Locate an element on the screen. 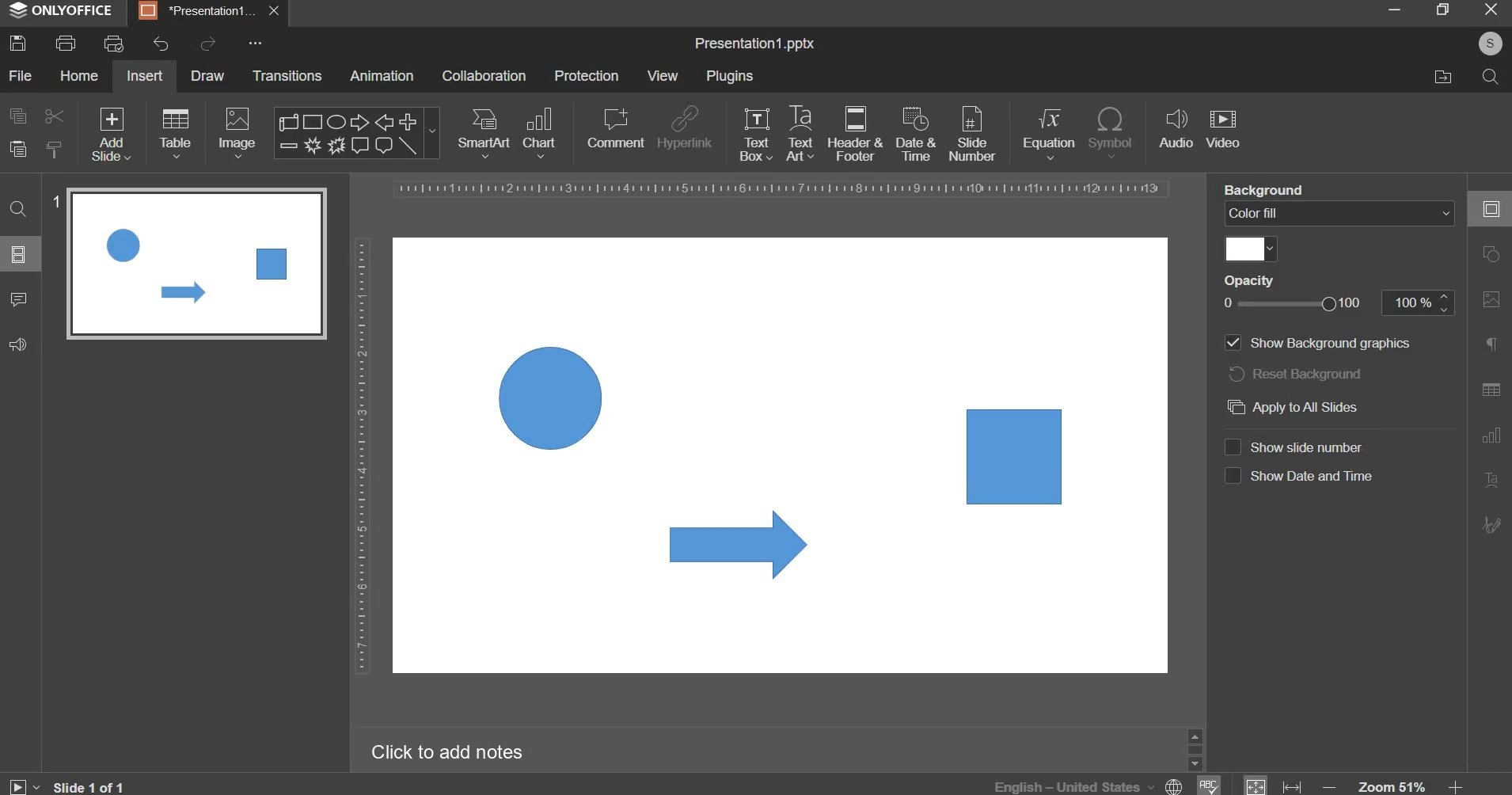 The height and width of the screenshot is (795, 1512). opacity is located at coordinates (1341, 304).